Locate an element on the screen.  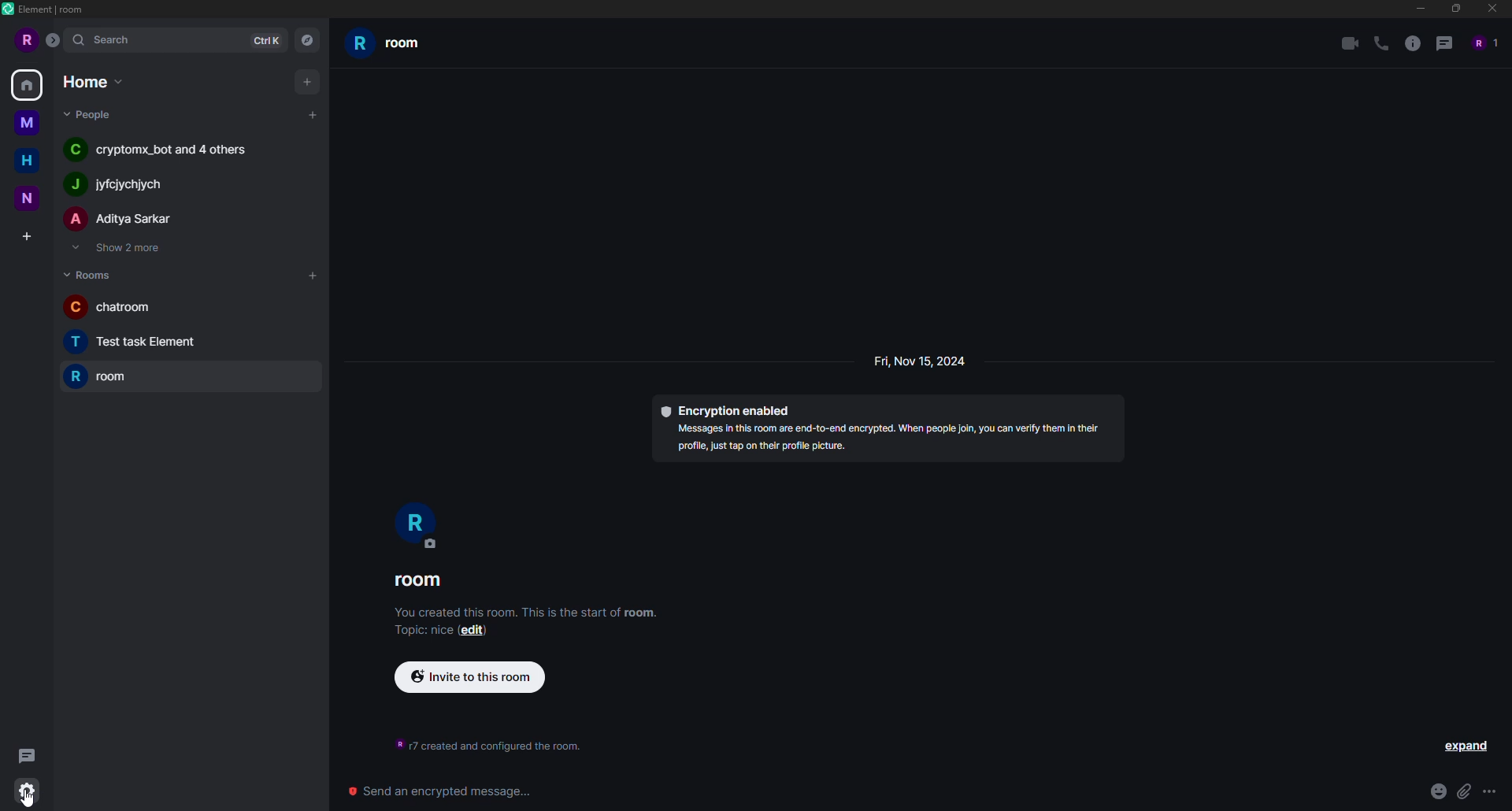
maximize is located at coordinates (1455, 9).